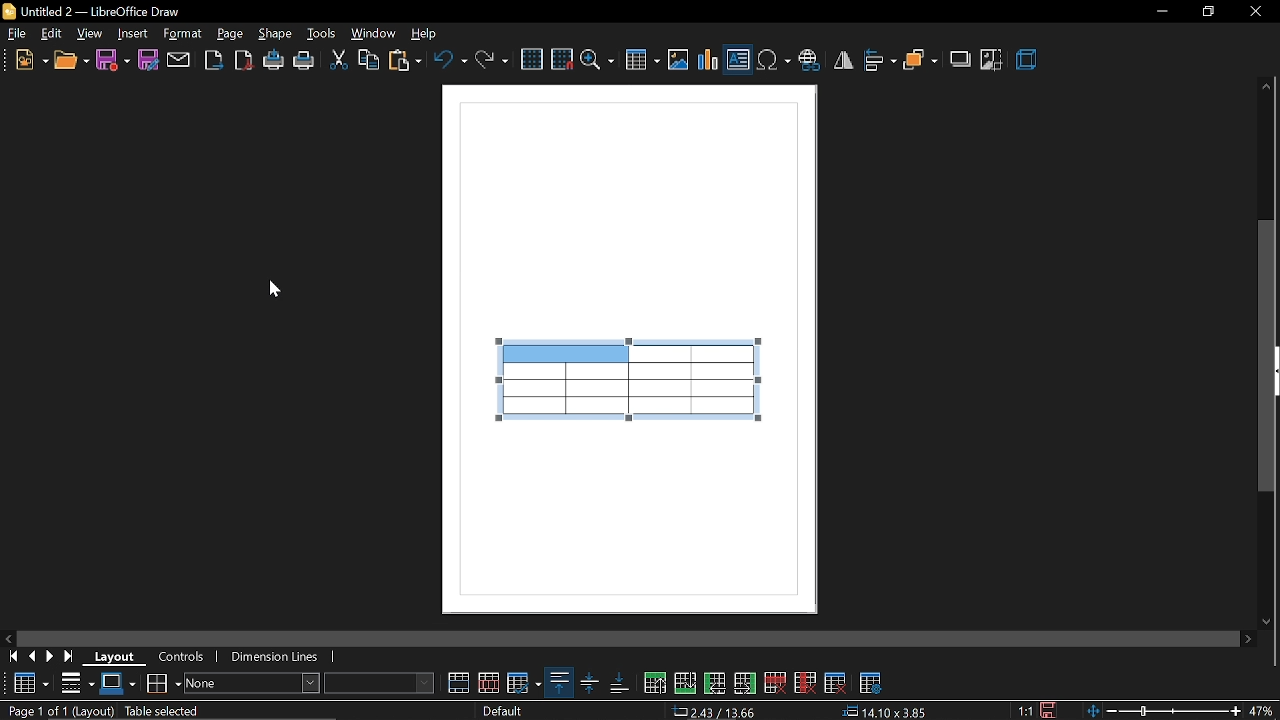  Describe the element at coordinates (686, 682) in the screenshot. I see `insert row below` at that location.